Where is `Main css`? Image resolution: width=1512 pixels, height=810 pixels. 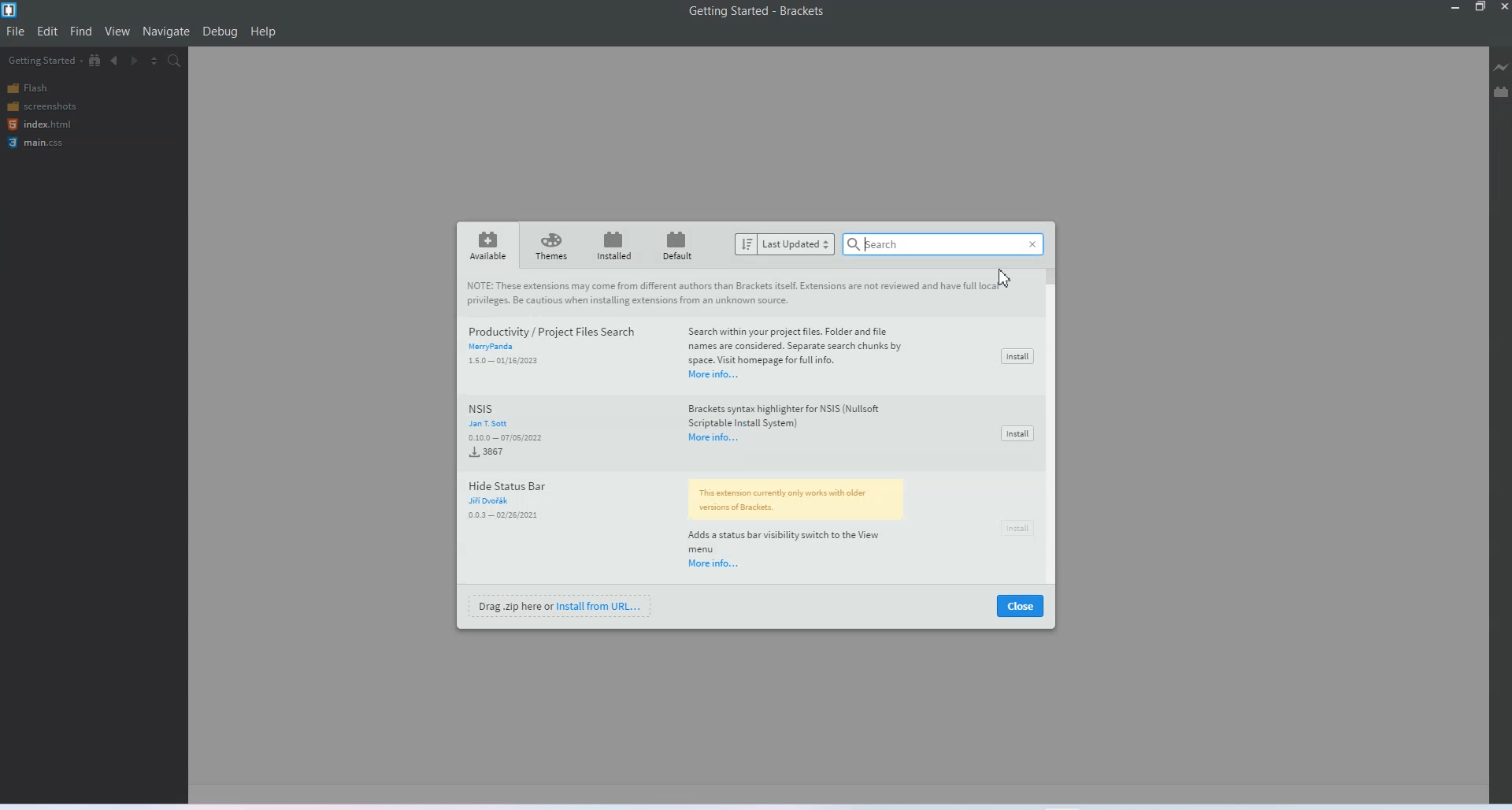
Main css is located at coordinates (55, 144).